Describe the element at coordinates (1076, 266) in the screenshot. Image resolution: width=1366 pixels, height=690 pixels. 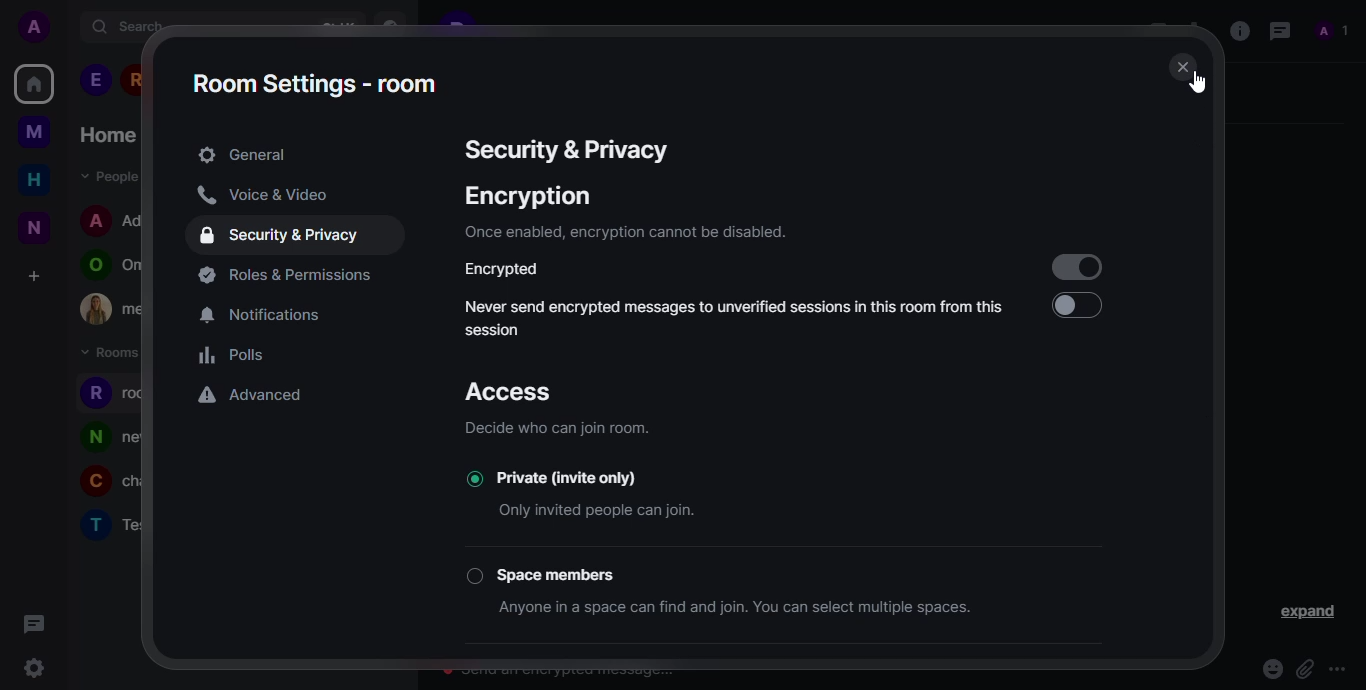
I see `enabled` at that location.